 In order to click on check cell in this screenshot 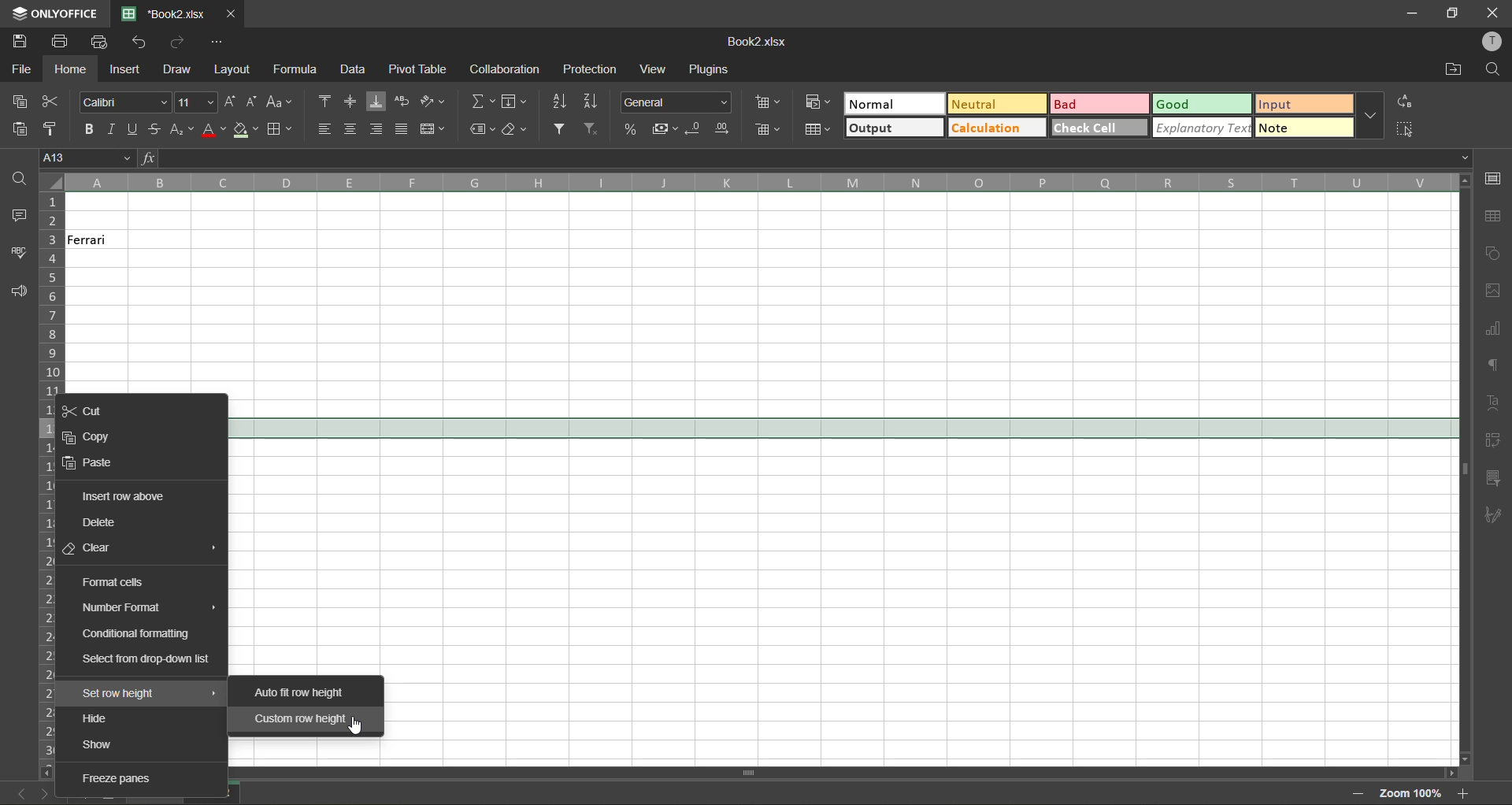, I will do `click(1098, 129)`.